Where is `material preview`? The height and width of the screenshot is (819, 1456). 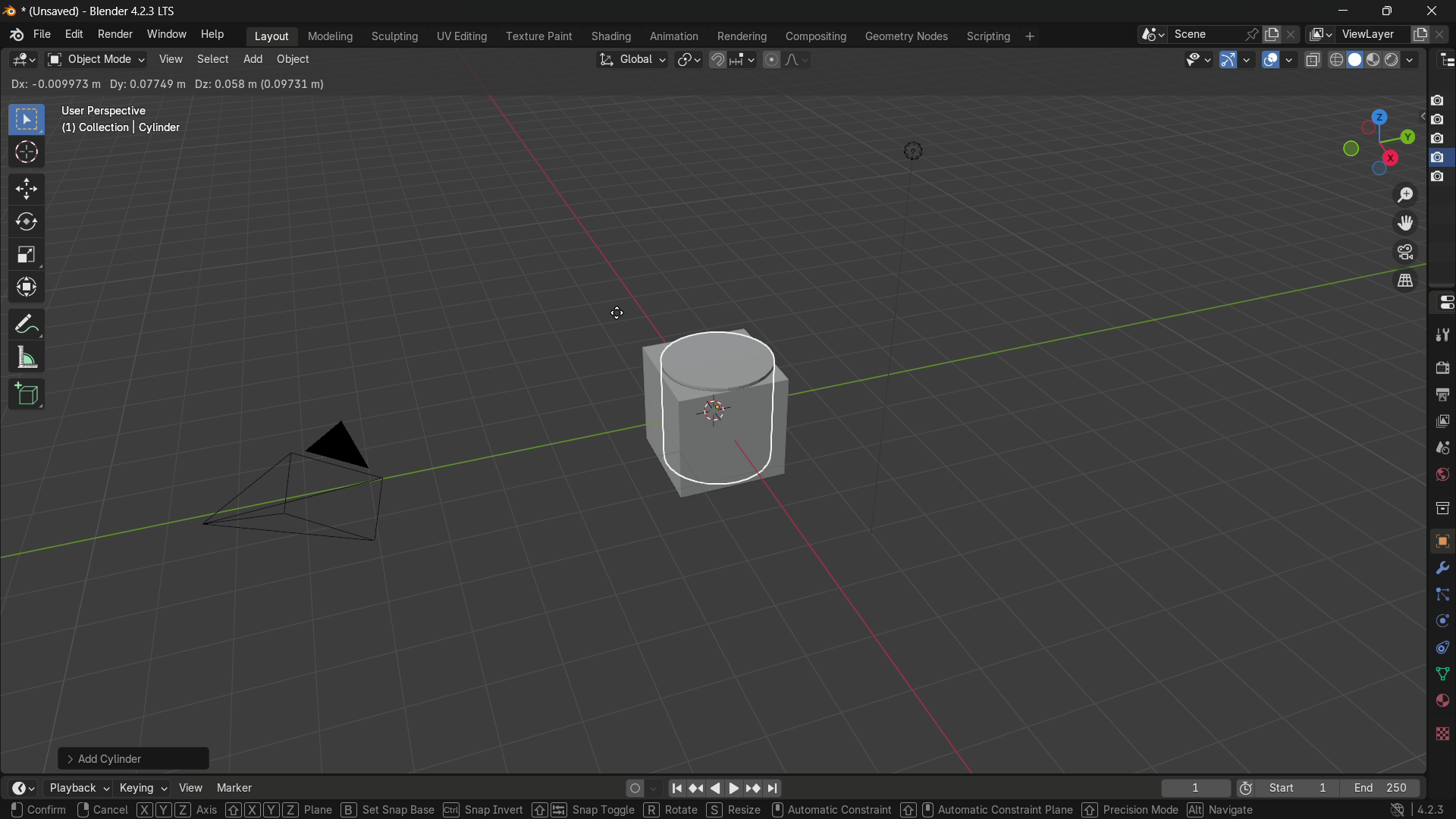
material preview is located at coordinates (1376, 61).